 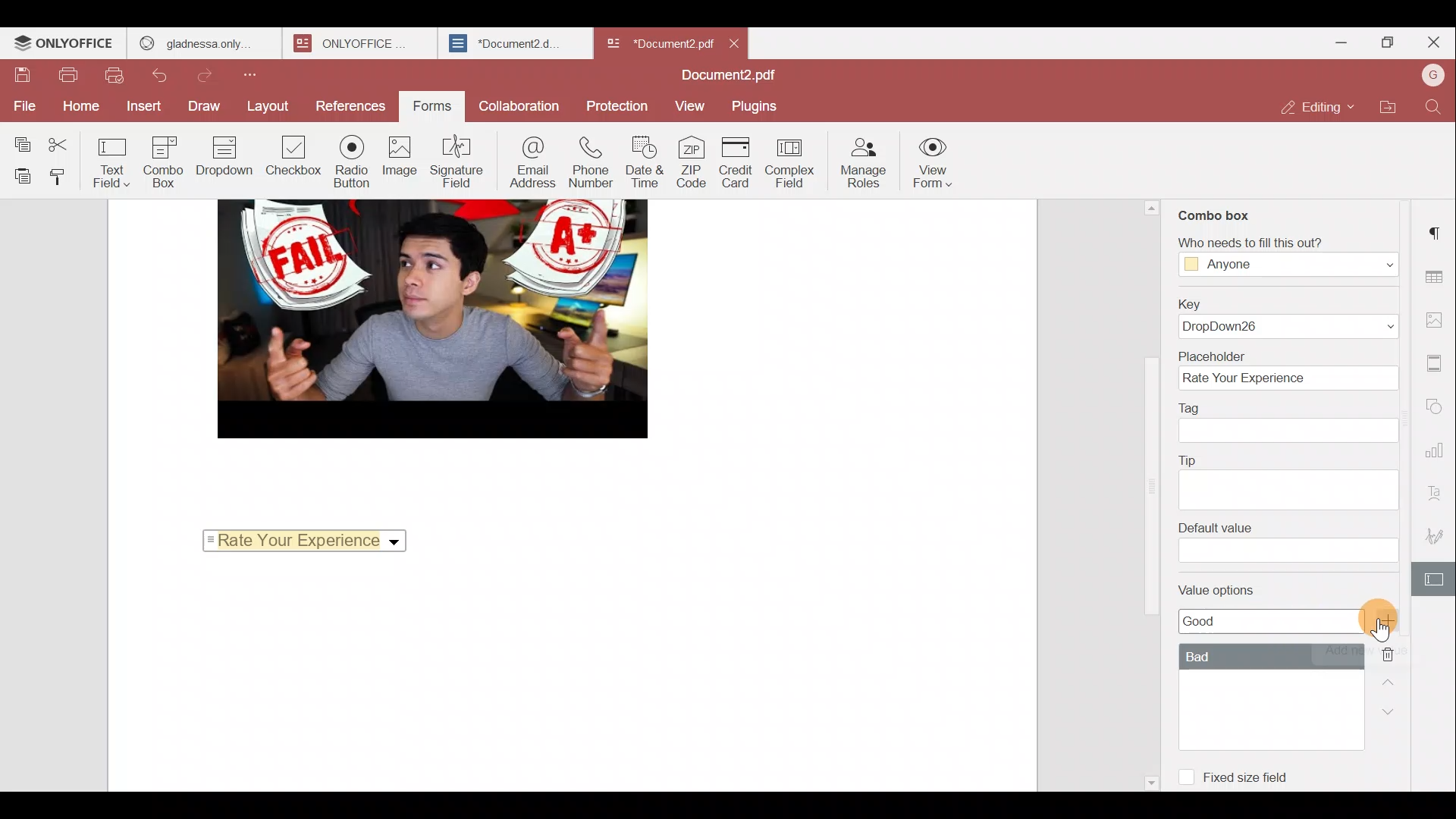 What do you see at coordinates (352, 162) in the screenshot?
I see `Radio` at bounding box center [352, 162].